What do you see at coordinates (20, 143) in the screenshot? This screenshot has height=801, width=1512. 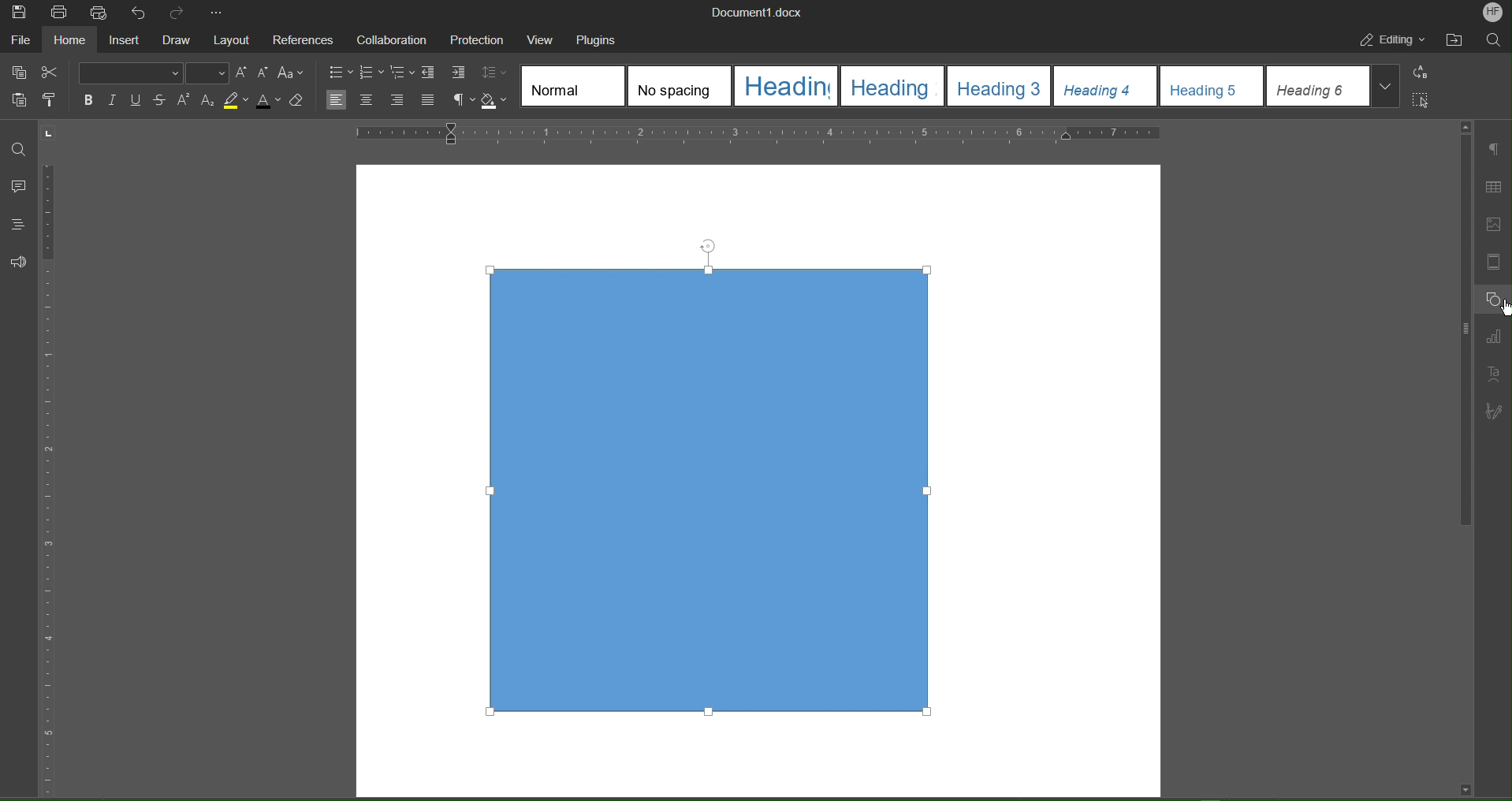 I see `Find` at bounding box center [20, 143].